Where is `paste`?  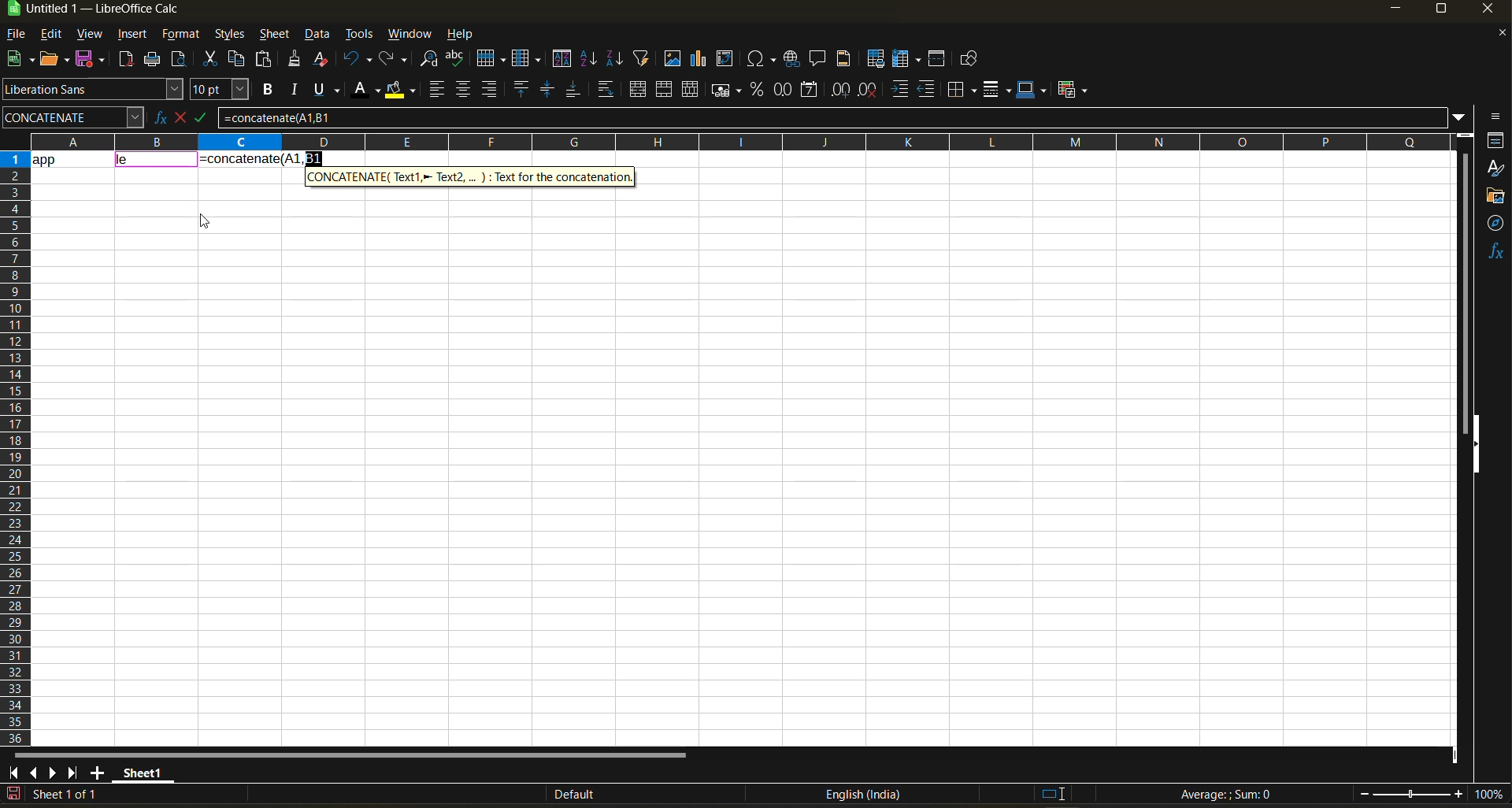 paste is located at coordinates (265, 61).